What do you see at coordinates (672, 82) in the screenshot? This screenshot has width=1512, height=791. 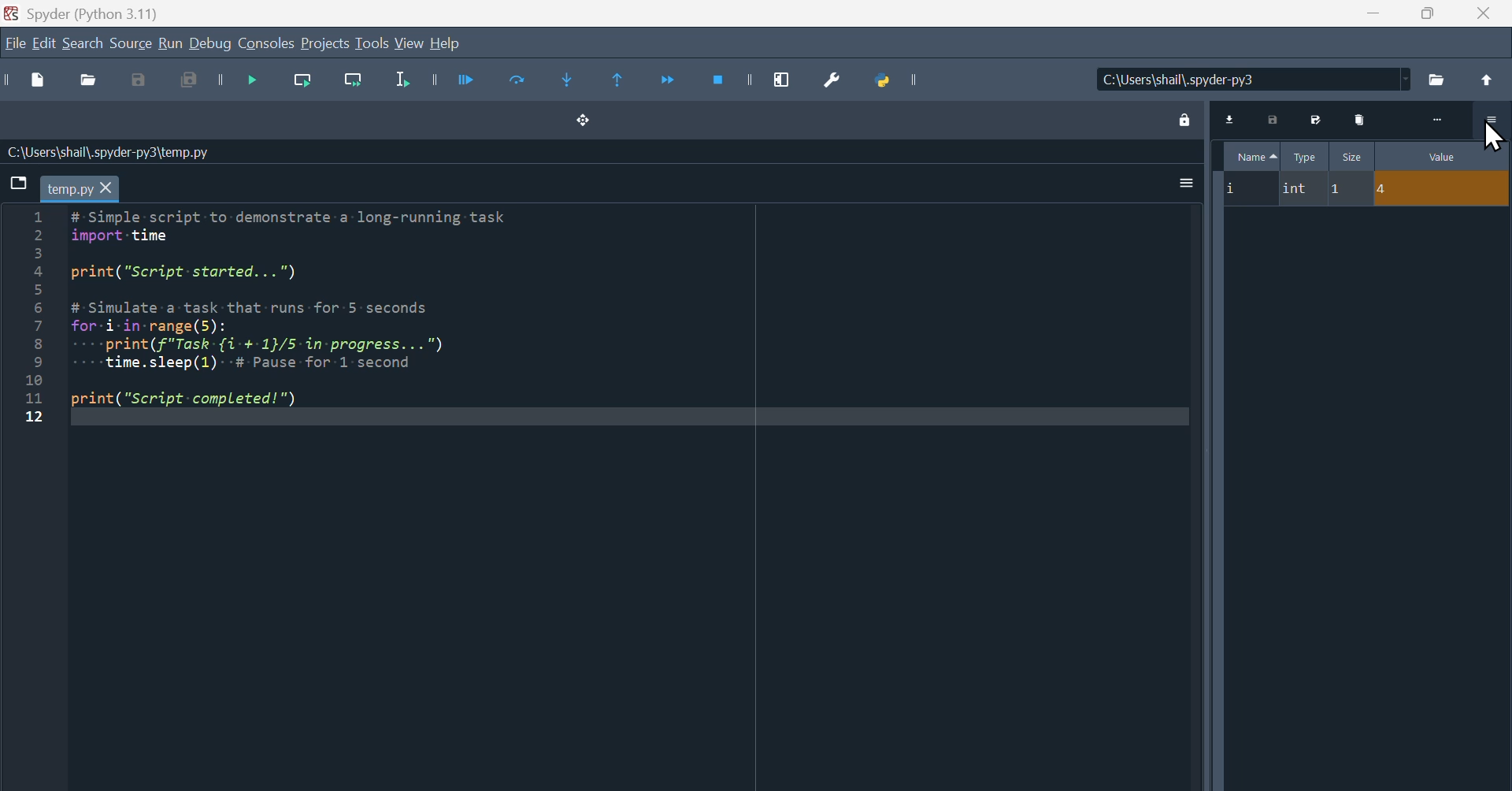 I see `Continue execution until next function` at bounding box center [672, 82].